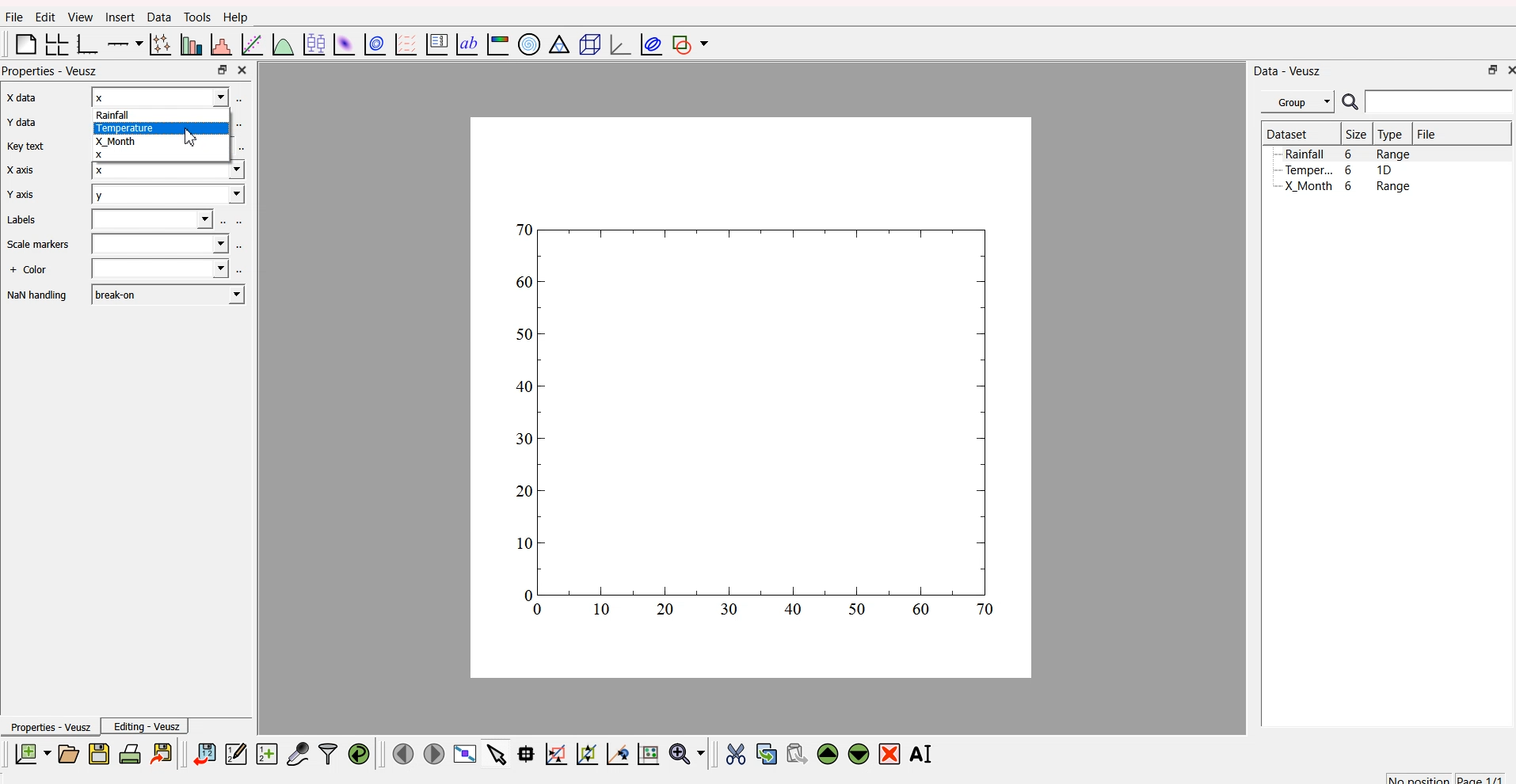 The image size is (1516, 784). I want to click on plot key, so click(436, 45).